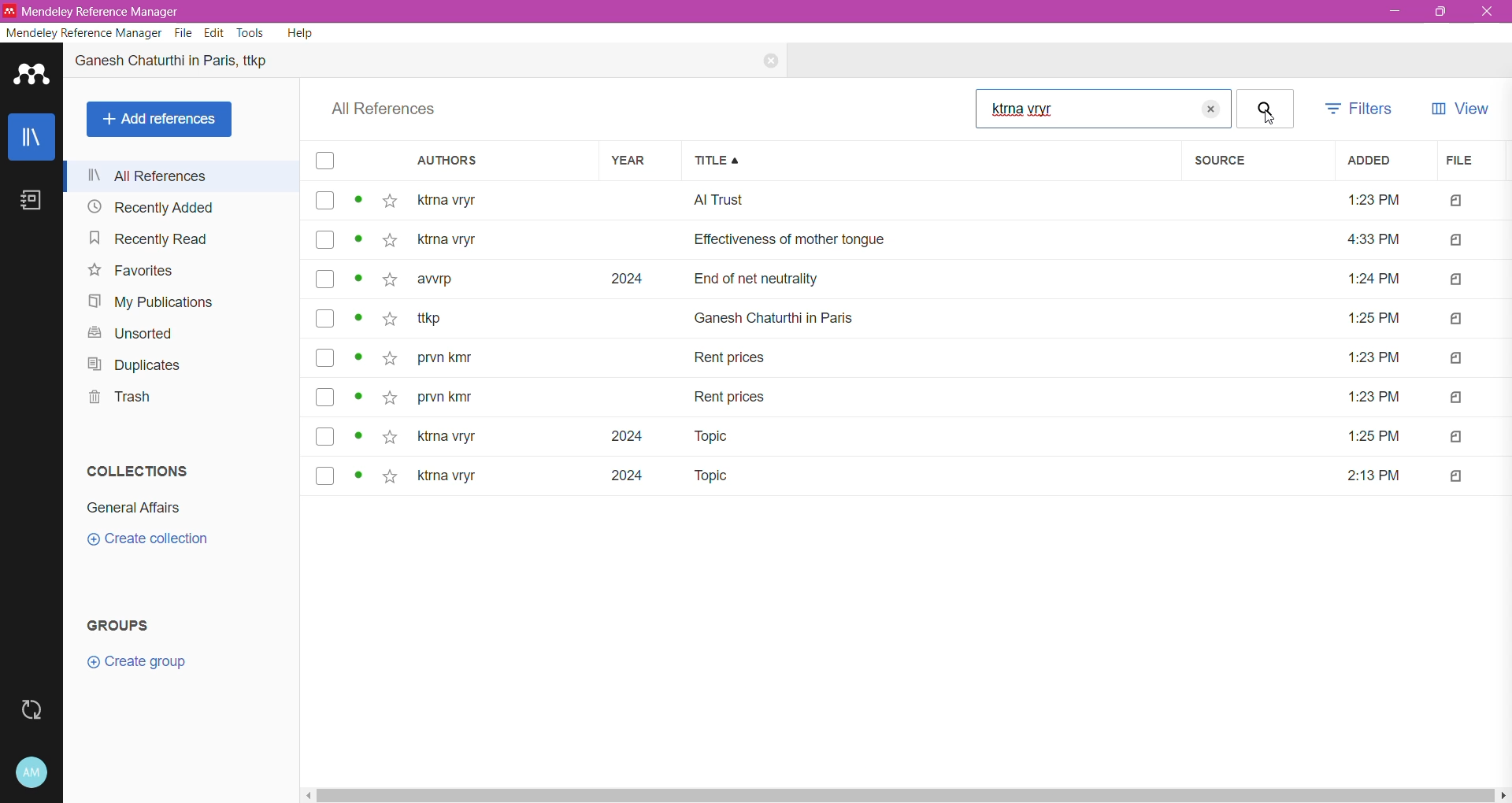 This screenshot has height=803, width=1512. What do you see at coordinates (131, 271) in the screenshot?
I see `Favorites` at bounding box center [131, 271].